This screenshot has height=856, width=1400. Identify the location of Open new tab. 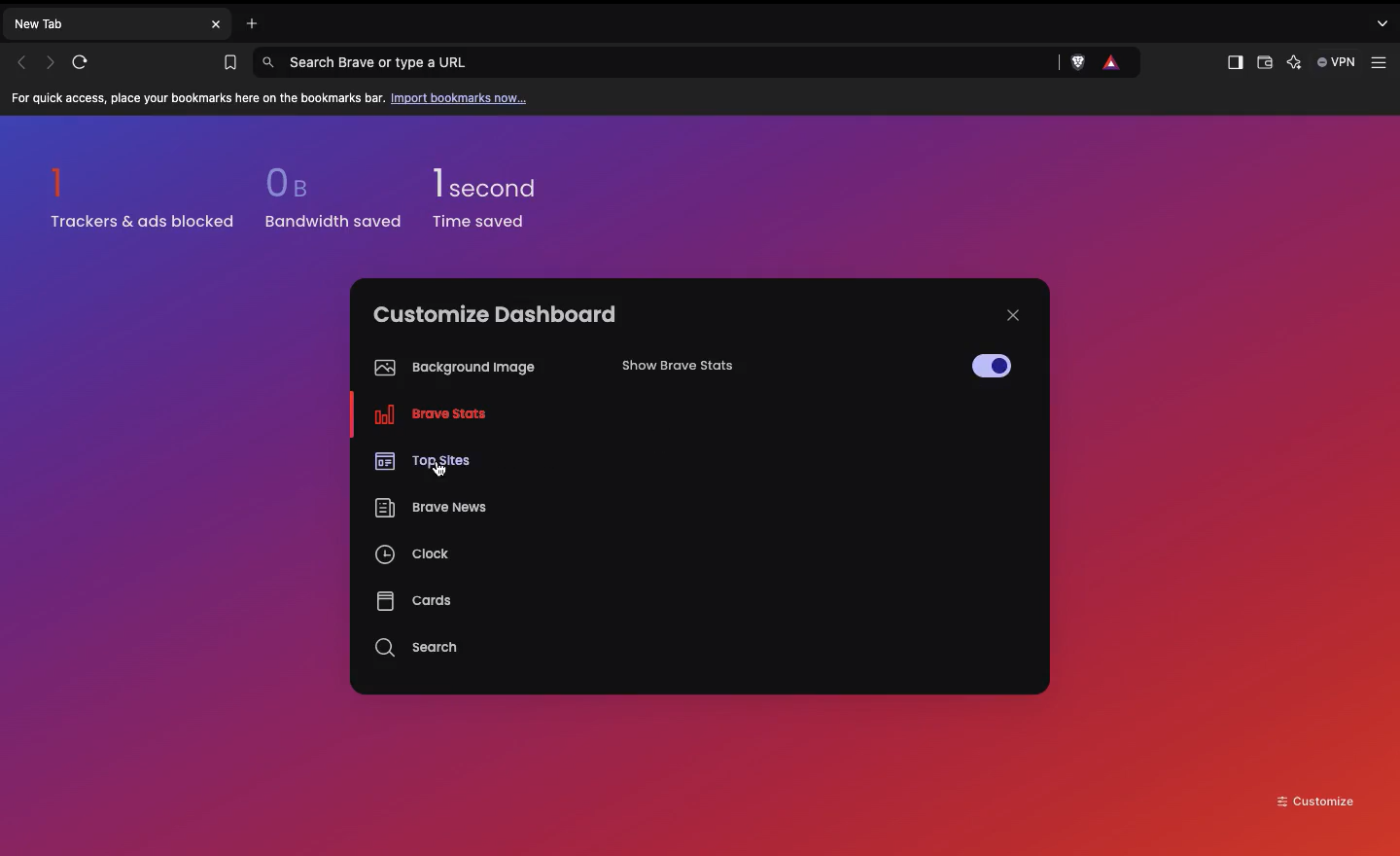
(247, 21).